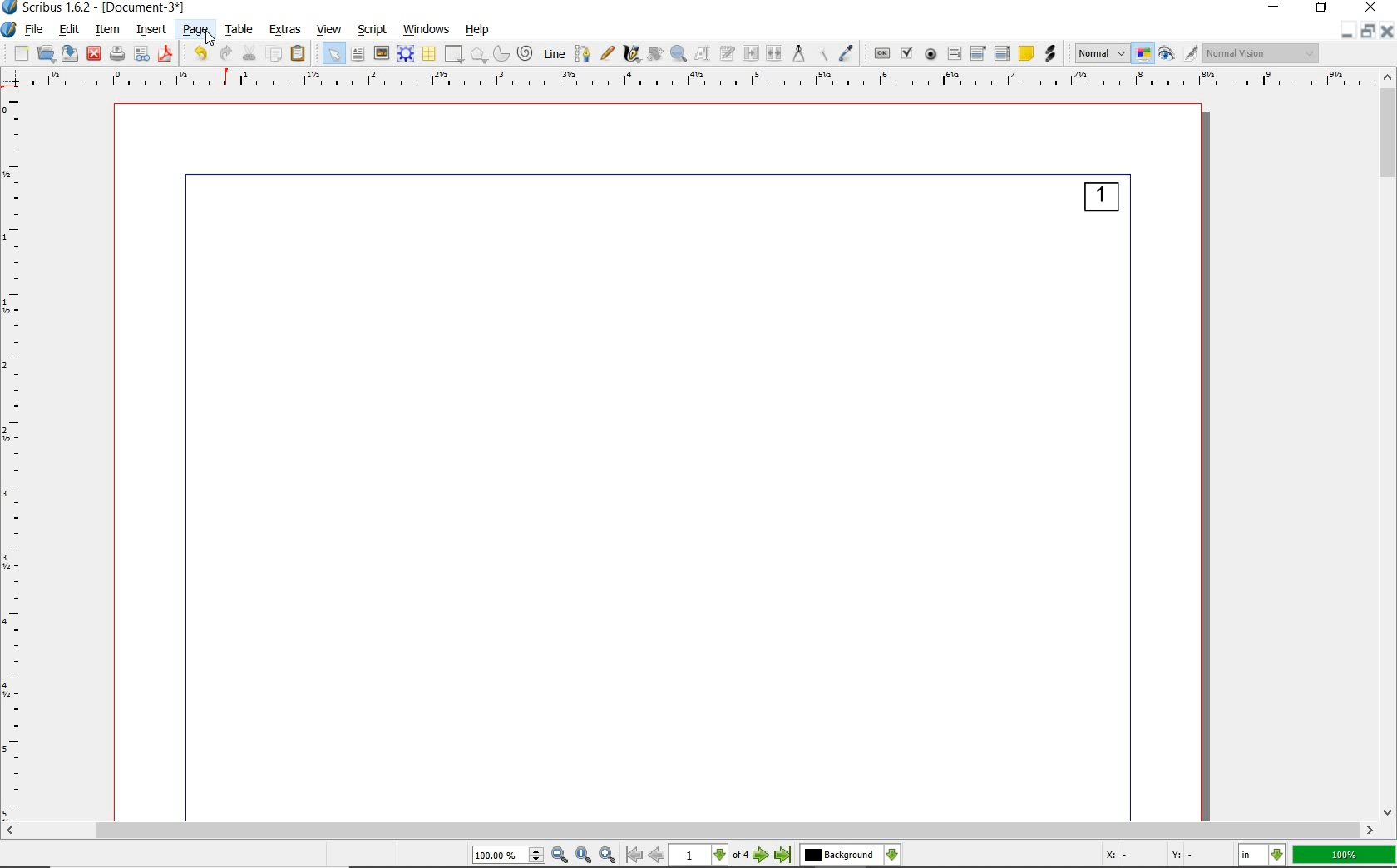 The image size is (1397, 868). I want to click on select current page, so click(708, 856).